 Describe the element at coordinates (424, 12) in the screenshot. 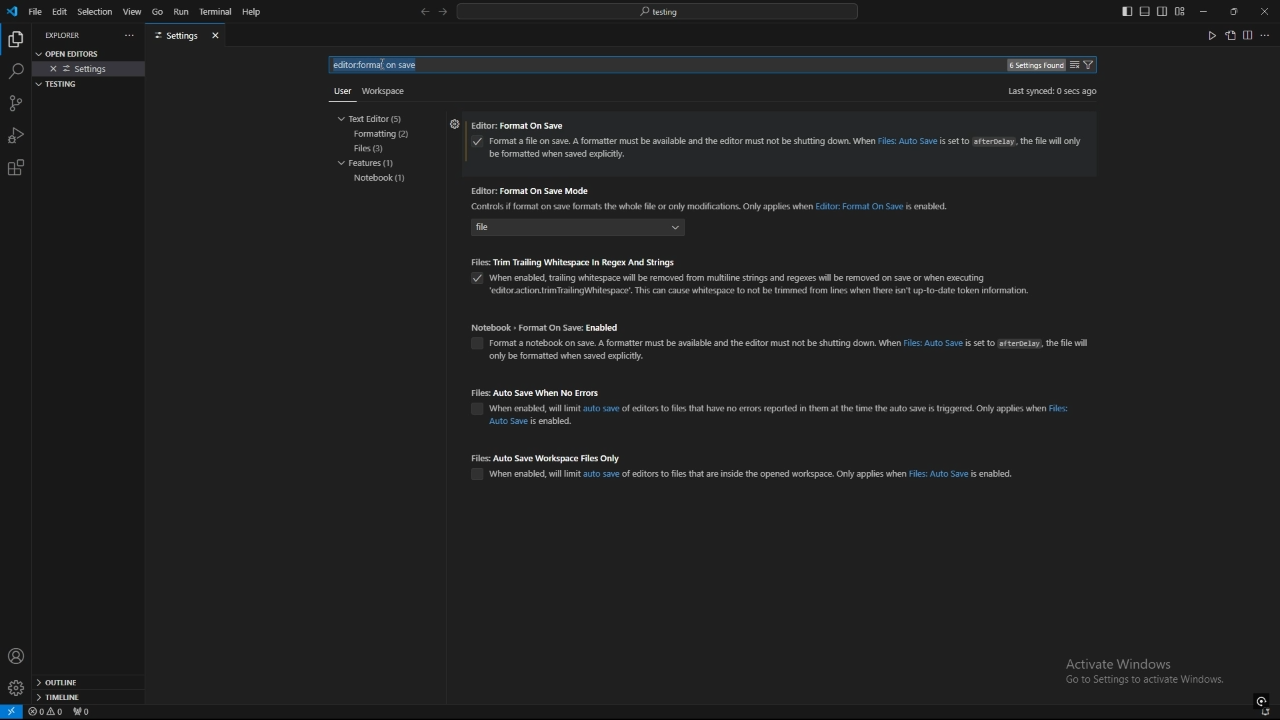

I see `back` at that location.